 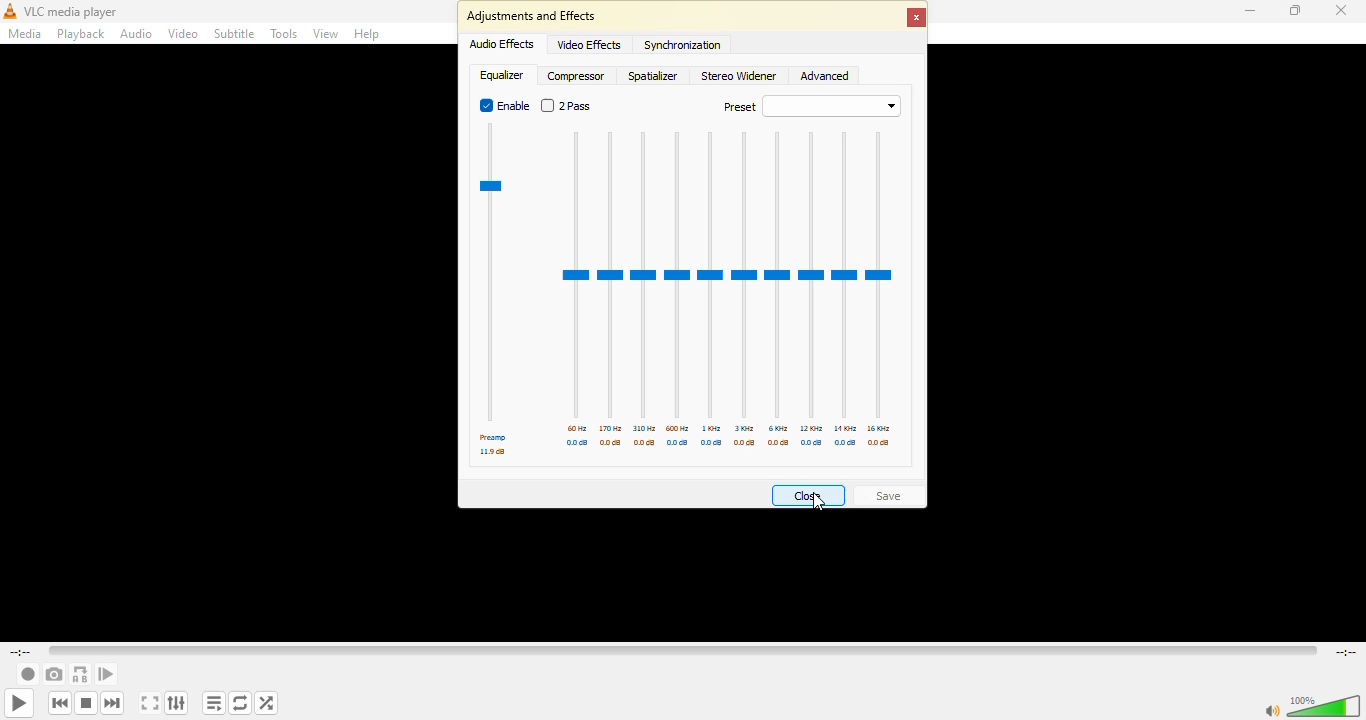 I want to click on db, so click(x=781, y=443).